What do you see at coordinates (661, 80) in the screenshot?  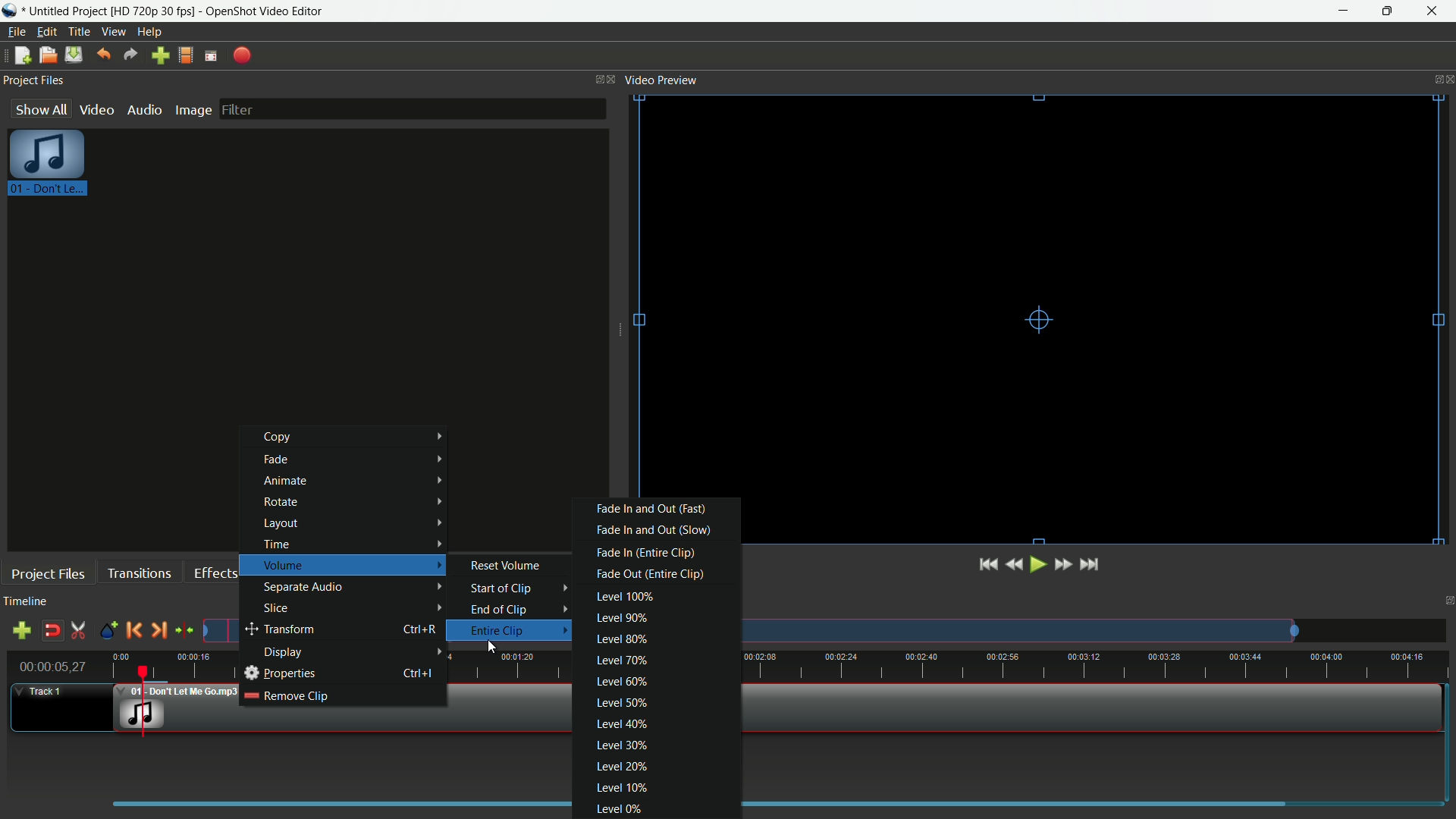 I see `video preview` at bounding box center [661, 80].